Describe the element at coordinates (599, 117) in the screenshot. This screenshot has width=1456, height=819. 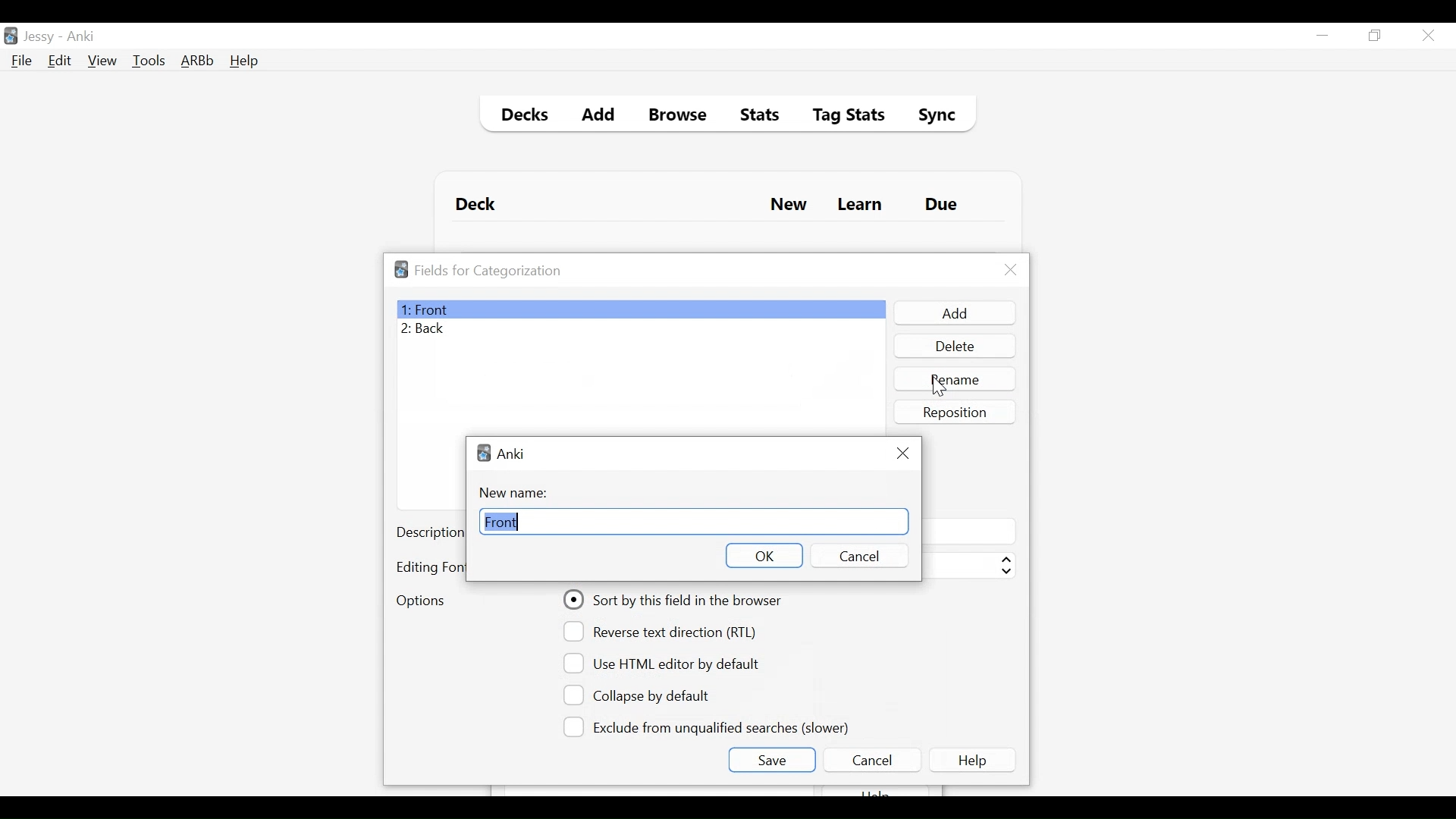
I see `Add` at that location.